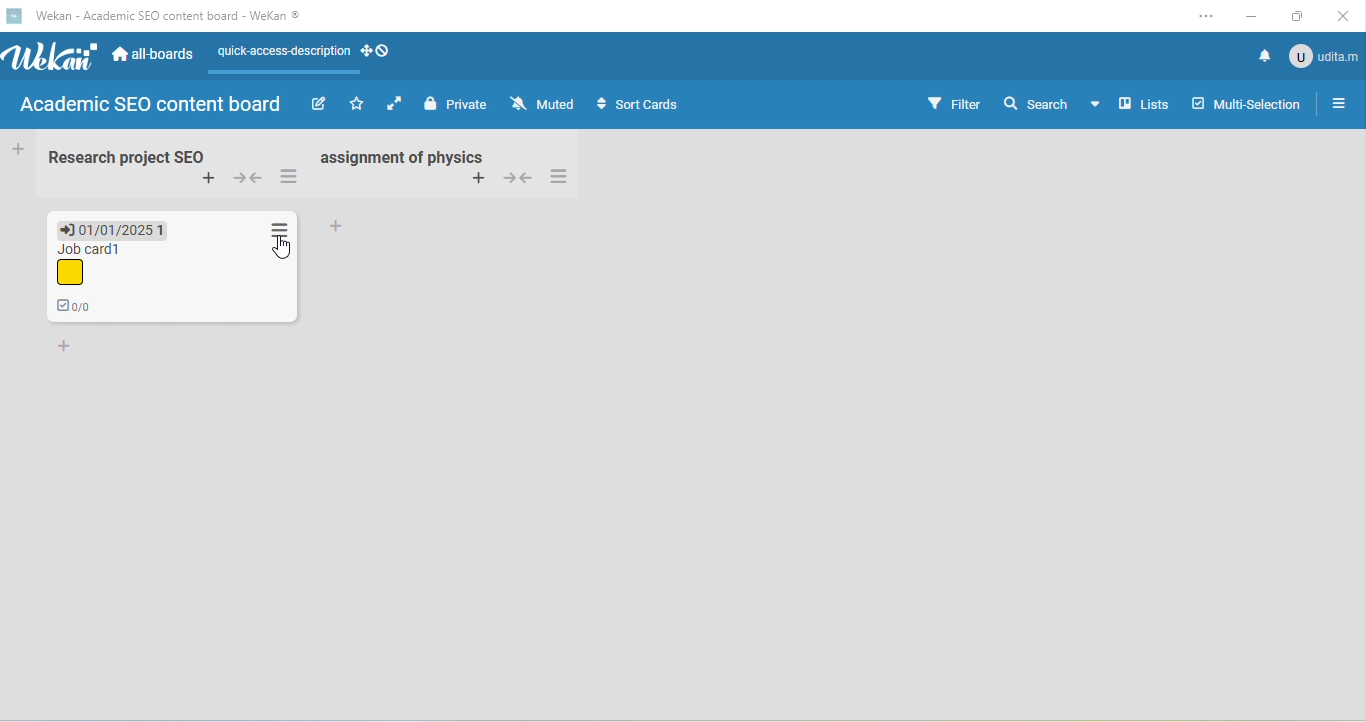  What do you see at coordinates (18, 147) in the screenshot?
I see `add` at bounding box center [18, 147].